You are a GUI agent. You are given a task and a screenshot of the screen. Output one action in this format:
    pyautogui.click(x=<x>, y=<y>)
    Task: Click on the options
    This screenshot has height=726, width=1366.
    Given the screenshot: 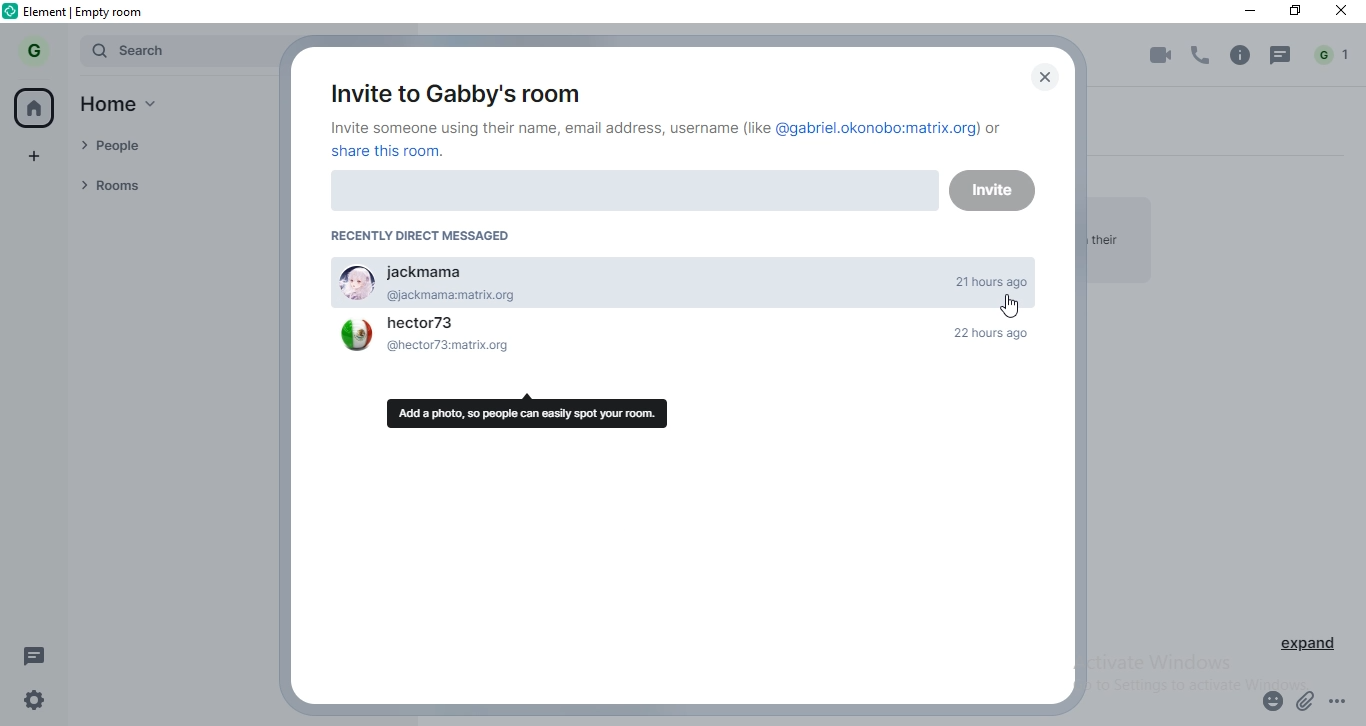 What is the action you would take?
    pyautogui.click(x=1346, y=705)
    